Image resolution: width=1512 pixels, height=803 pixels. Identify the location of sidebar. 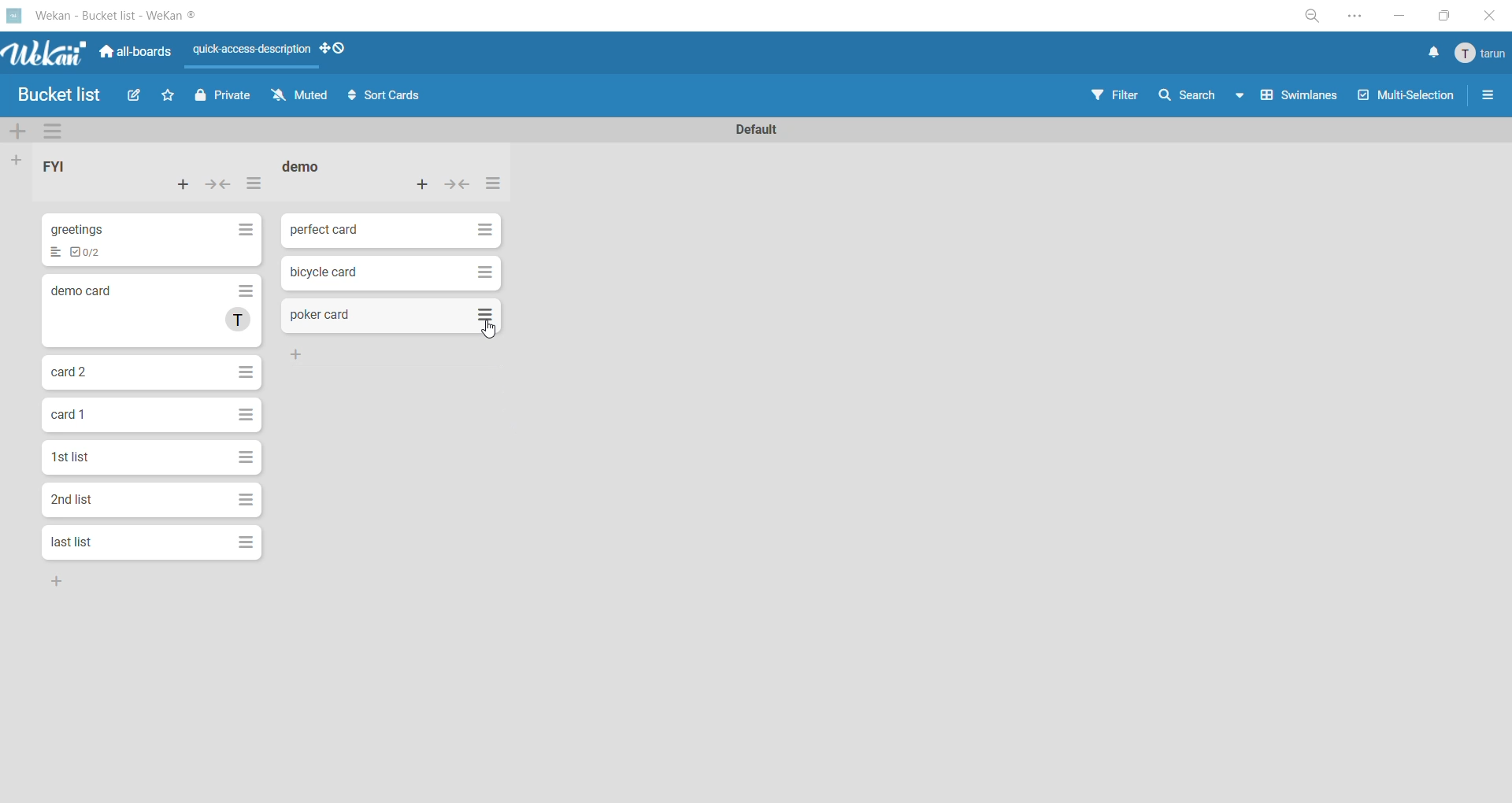
(1488, 98).